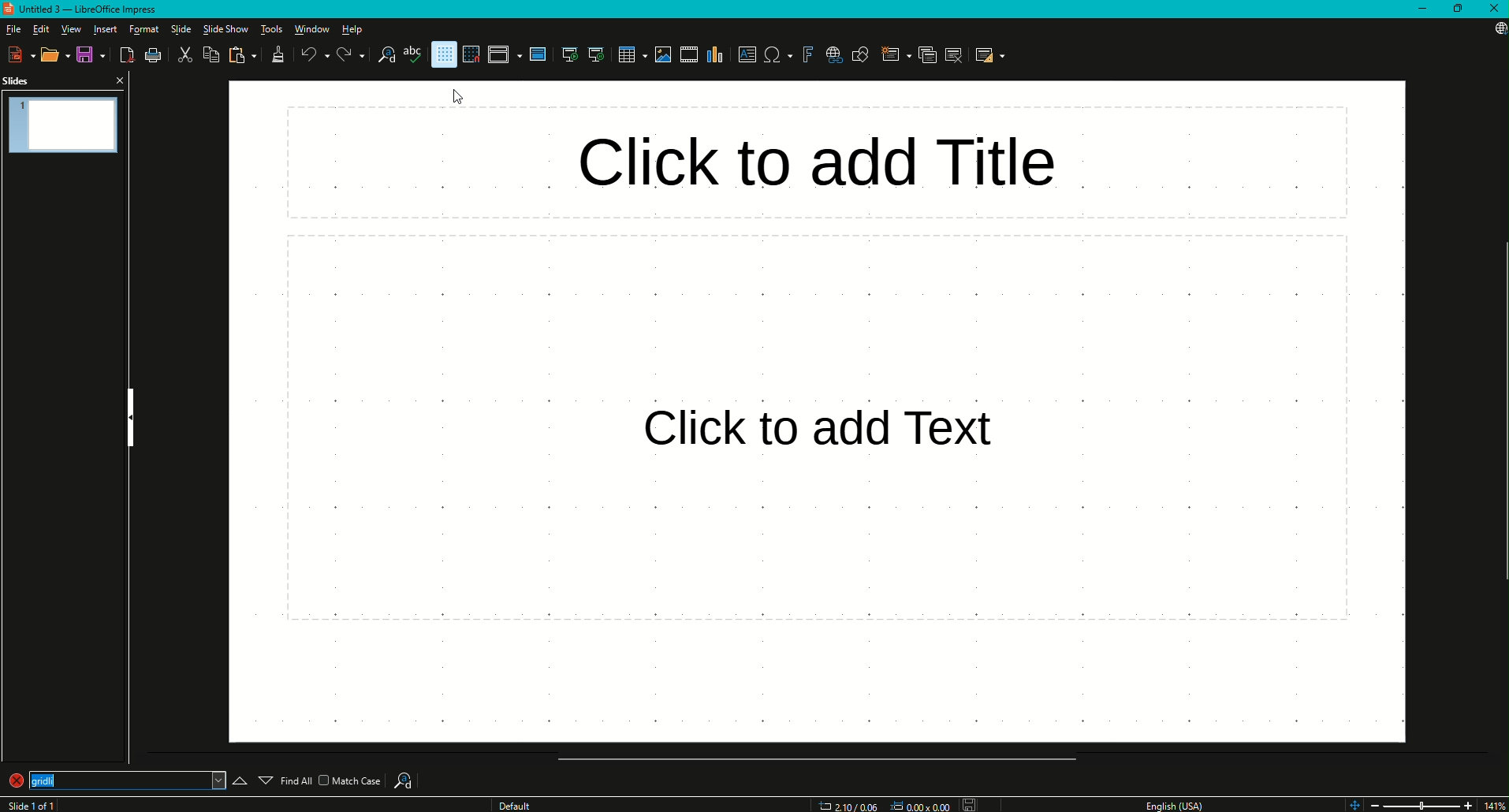  Describe the element at coordinates (505, 54) in the screenshot. I see `Display views` at that location.